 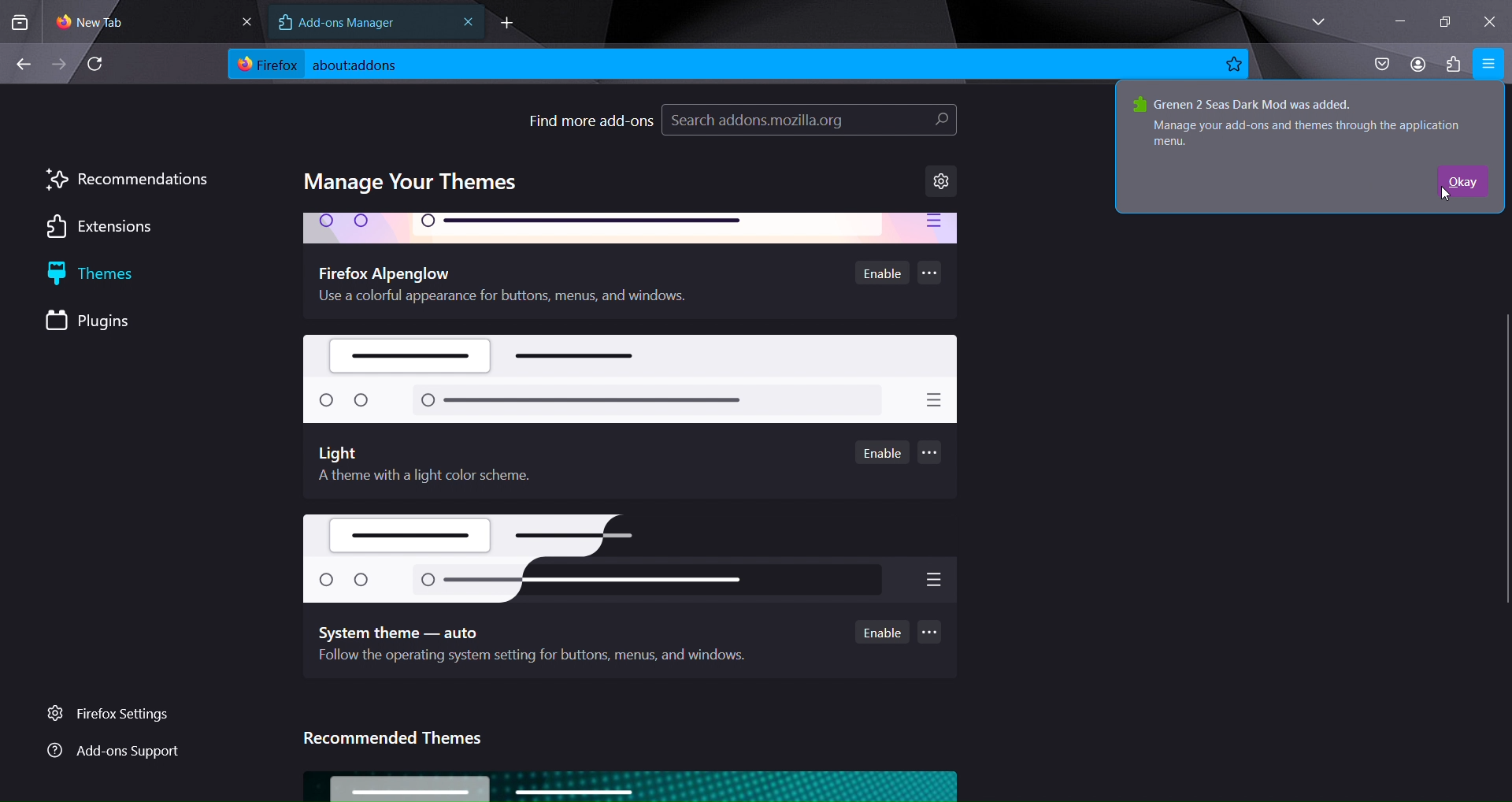 What do you see at coordinates (883, 274) in the screenshot?
I see `enable` at bounding box center [883, 274].